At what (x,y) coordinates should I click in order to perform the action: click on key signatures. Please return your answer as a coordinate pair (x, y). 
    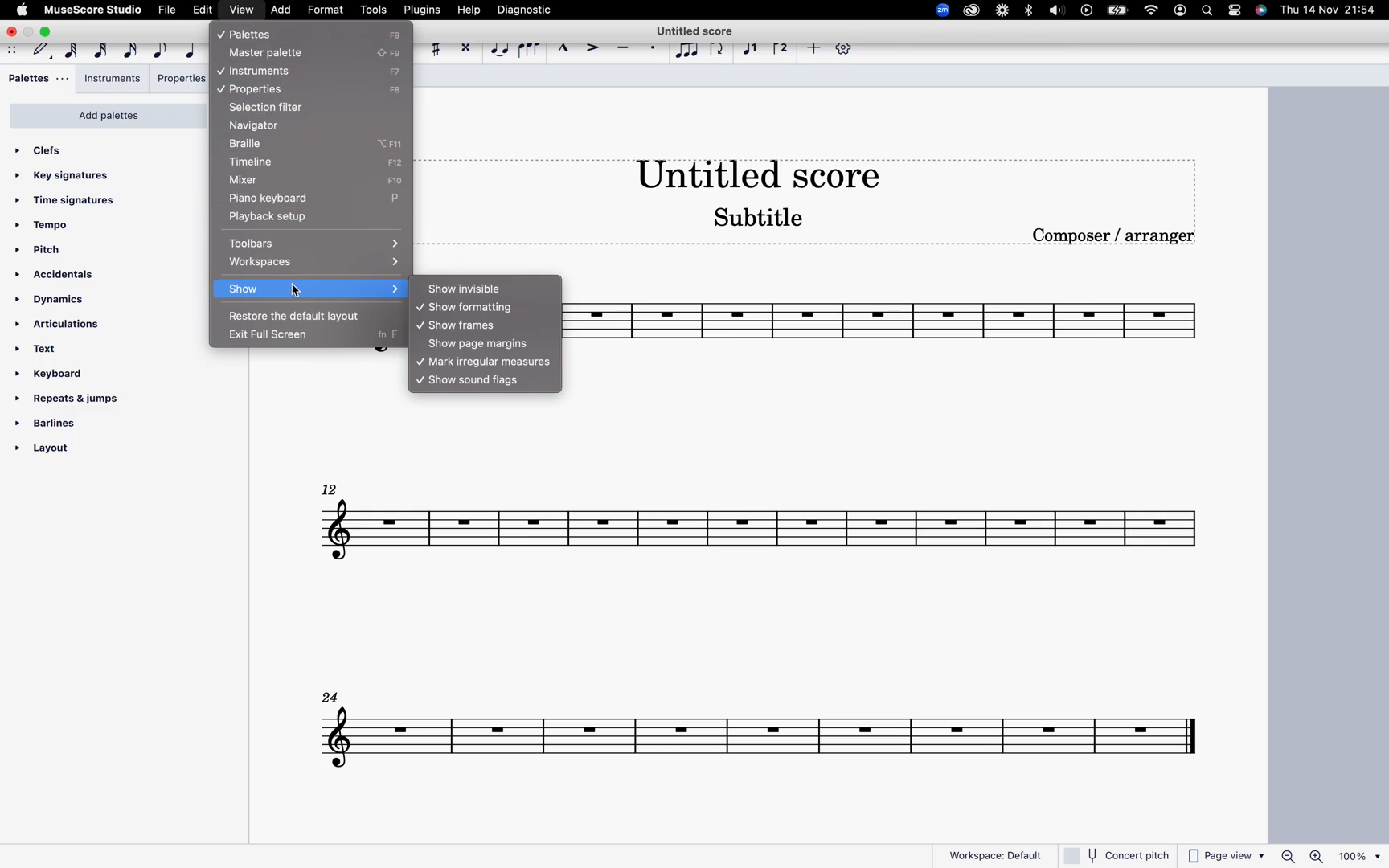
    Looking at the image, I should click on (71, 175).